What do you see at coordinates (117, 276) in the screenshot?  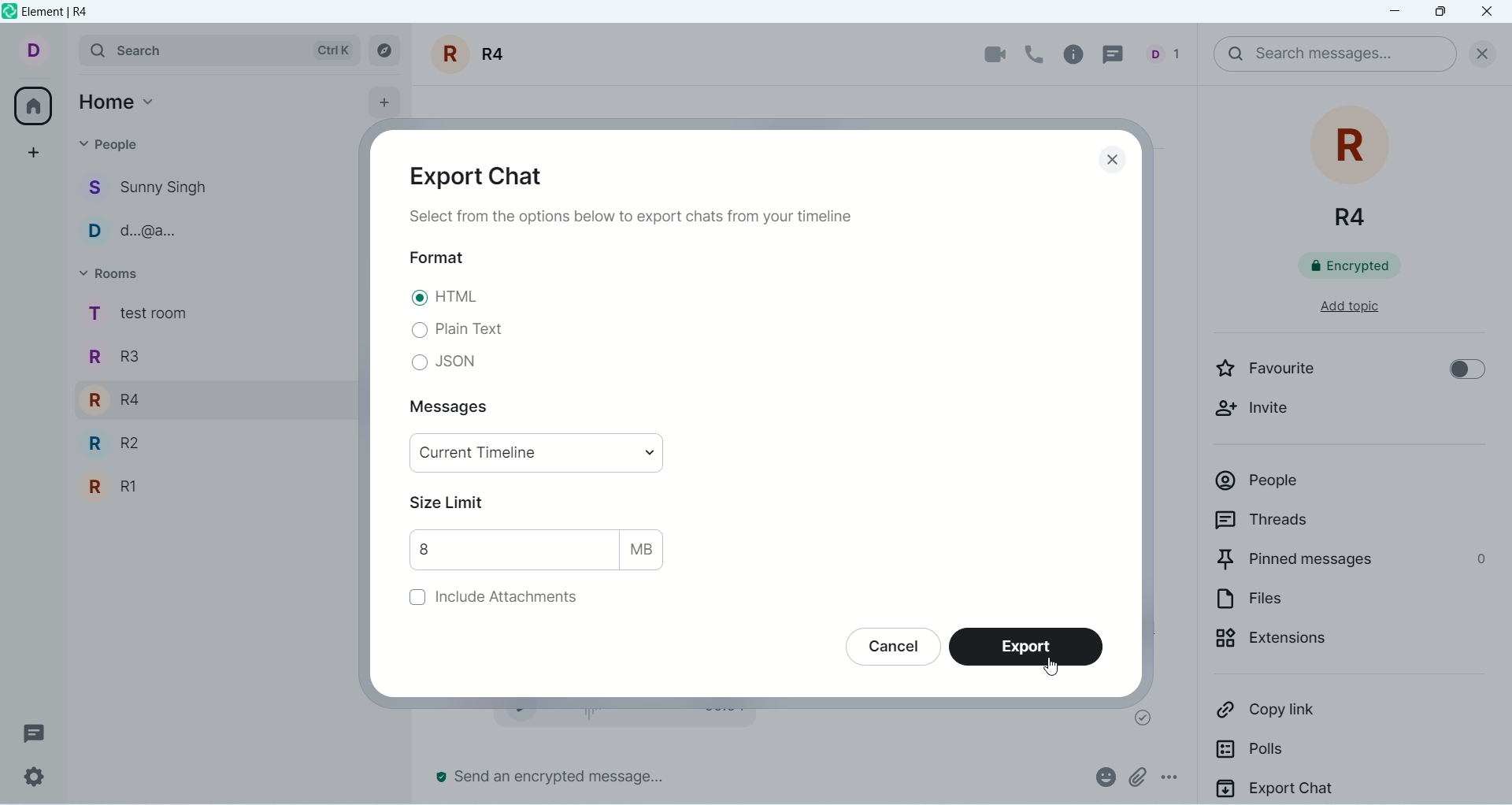 I see `rooms` at bounding box center [117, 276].